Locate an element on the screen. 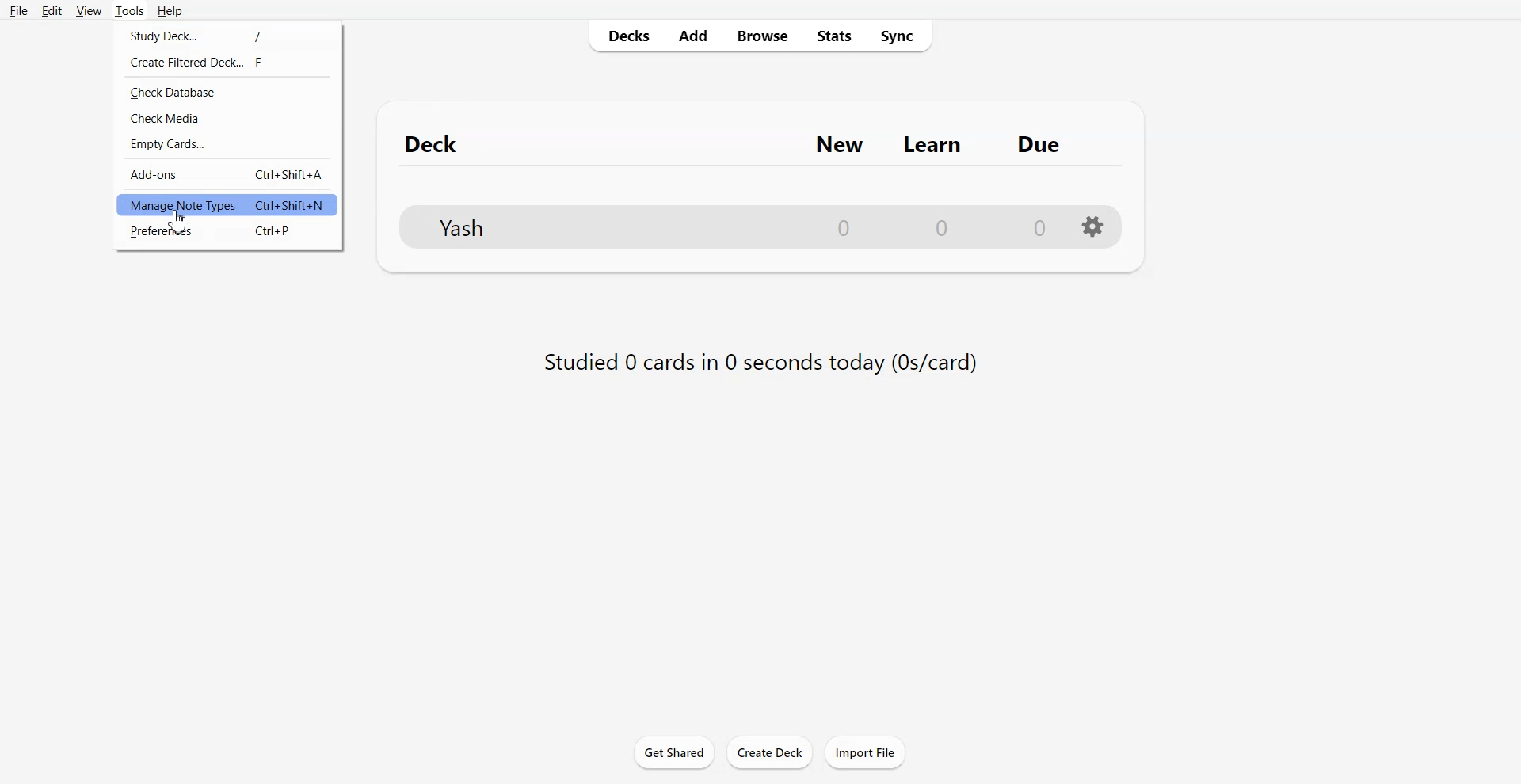 The height and width of the screenshot is (784, 1521). Stats is located at coordinates (832, 35).